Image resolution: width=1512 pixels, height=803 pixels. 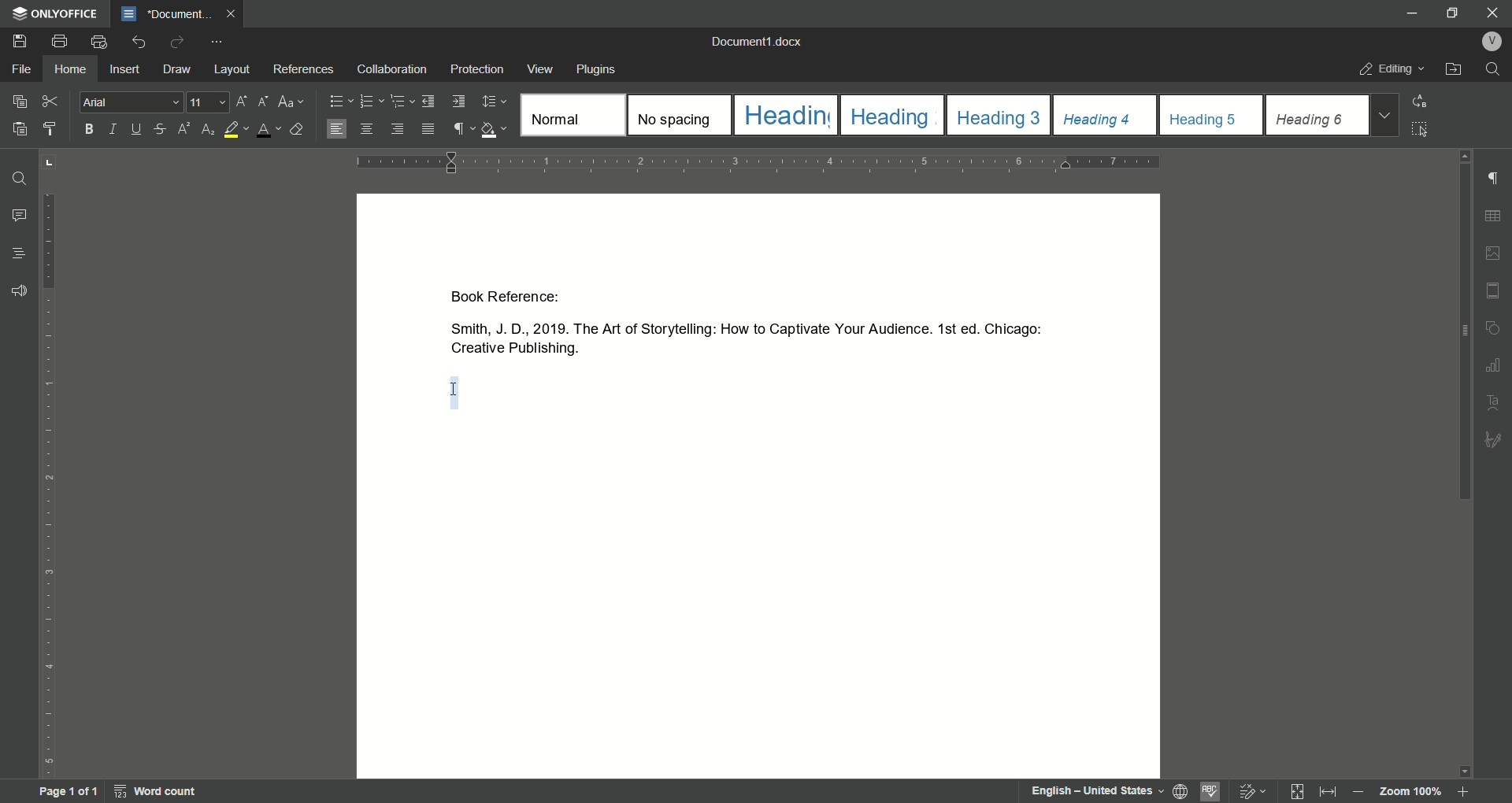 What do you see at coordinates (21, 128) in the screenshot?
I see `paste` at bounding box center [21, 128].